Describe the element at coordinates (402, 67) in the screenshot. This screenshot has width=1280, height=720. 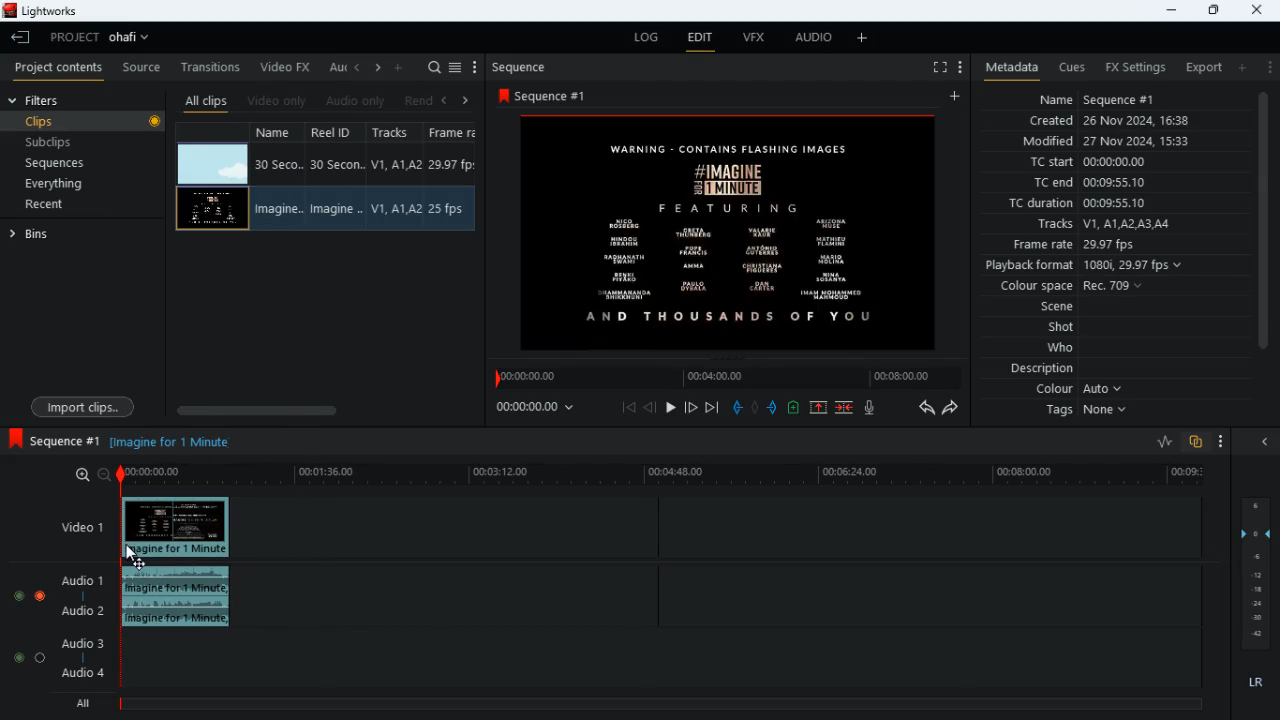
I see `add` at that location.